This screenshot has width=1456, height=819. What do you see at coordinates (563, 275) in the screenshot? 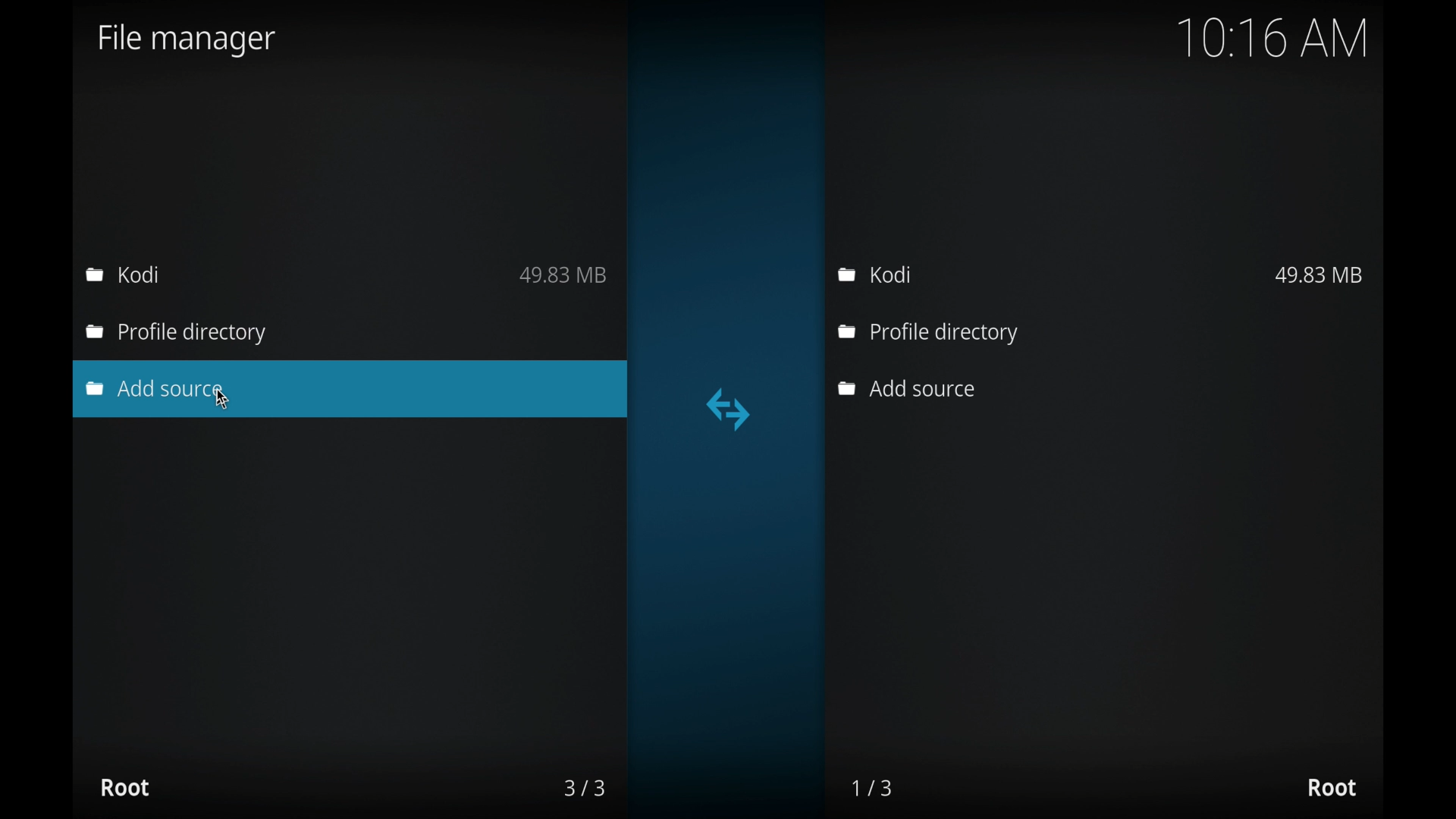
I see `49.83 MB` at bounding box center [563, 275].